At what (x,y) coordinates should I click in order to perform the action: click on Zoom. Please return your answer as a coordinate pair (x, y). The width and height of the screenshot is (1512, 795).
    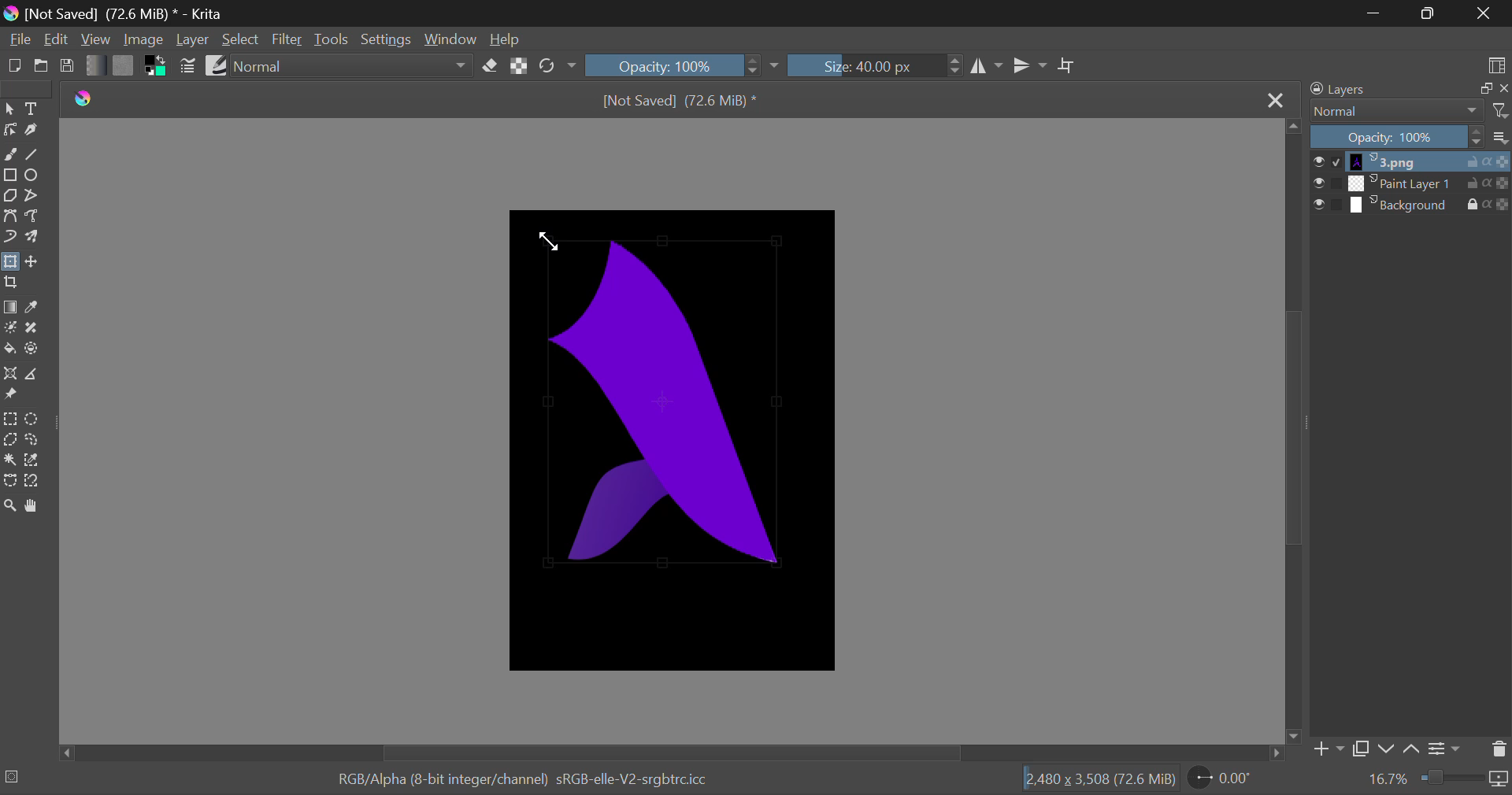
    Looking at the image, I should click on (9, 502).